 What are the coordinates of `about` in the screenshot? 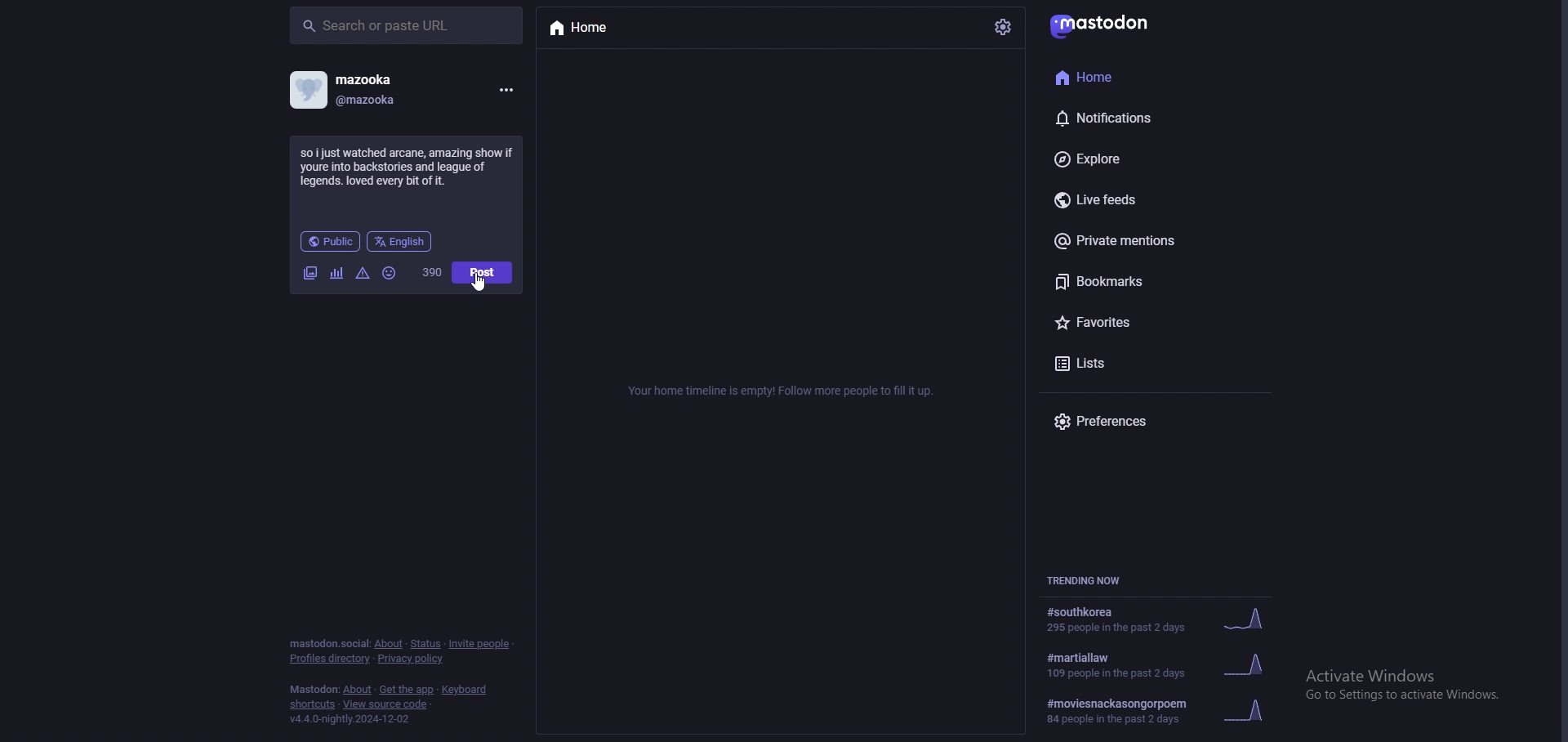 It's located at (357, 690).